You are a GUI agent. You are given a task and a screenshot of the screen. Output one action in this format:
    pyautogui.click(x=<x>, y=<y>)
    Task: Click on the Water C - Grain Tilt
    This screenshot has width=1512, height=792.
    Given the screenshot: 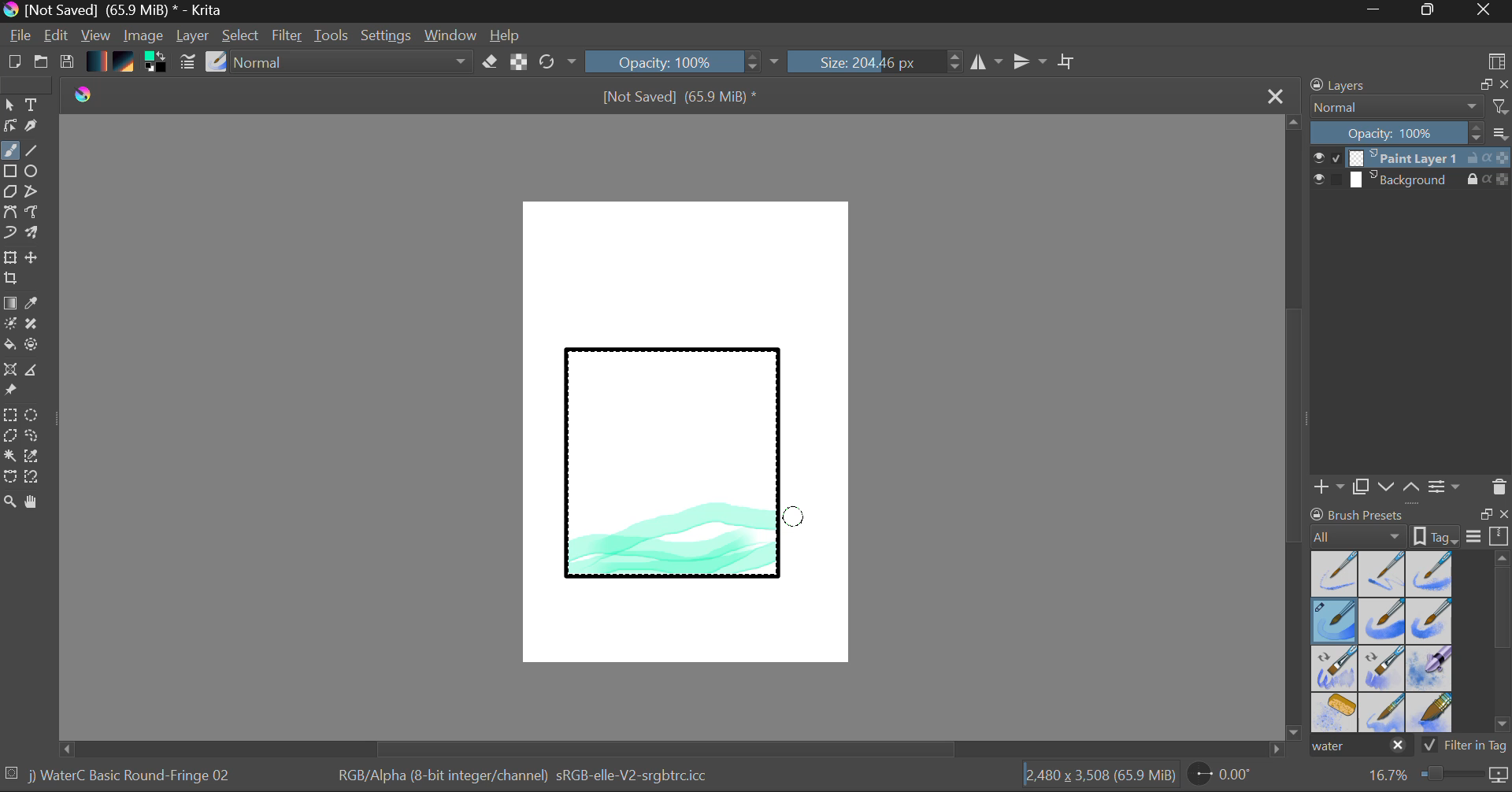 What is the action you would take?
    pyautogui.click(x=1336, y=668)
    